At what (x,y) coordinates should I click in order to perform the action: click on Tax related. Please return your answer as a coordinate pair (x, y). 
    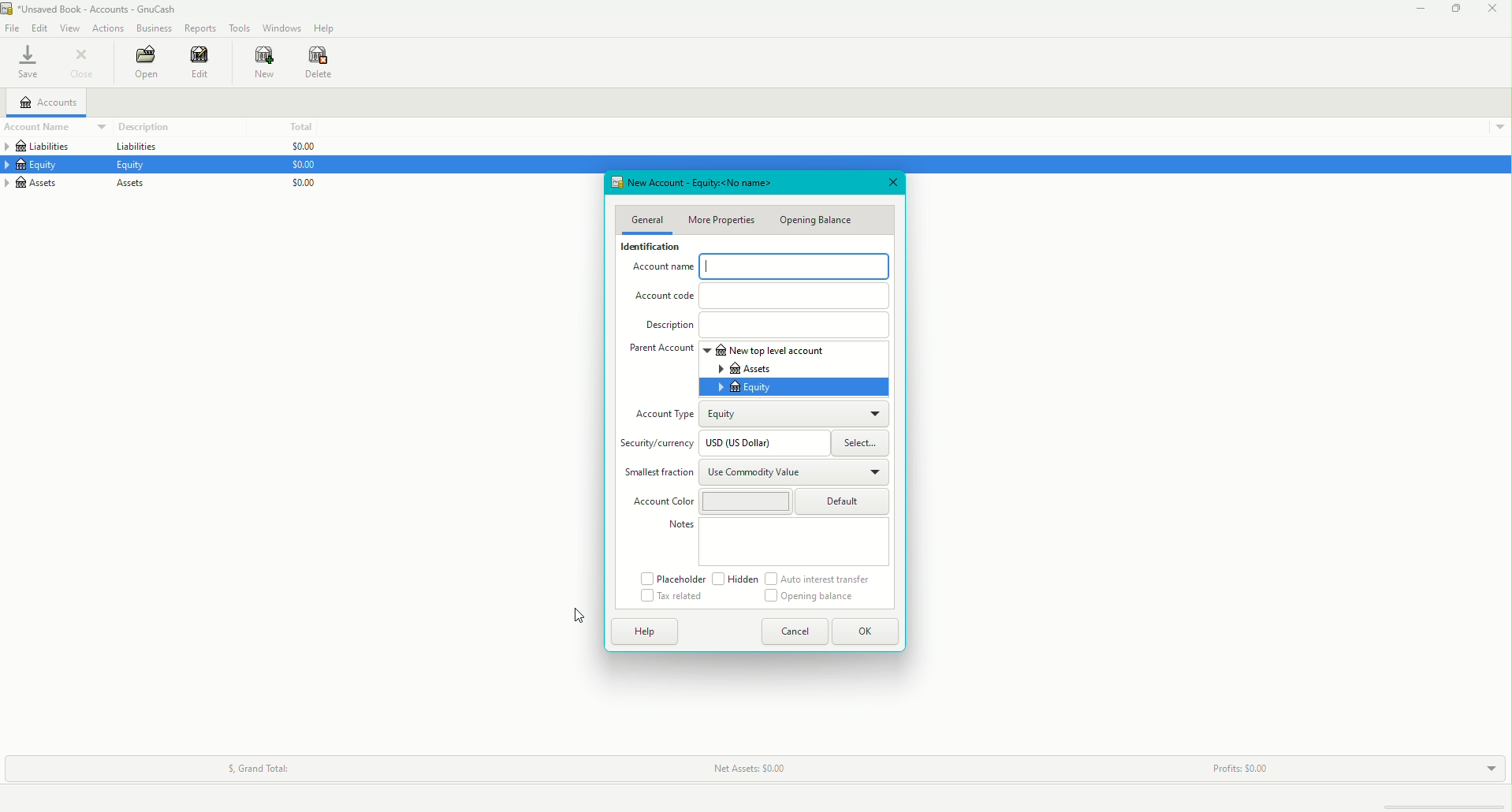
    Looking at the image, I should click on (672, 597).